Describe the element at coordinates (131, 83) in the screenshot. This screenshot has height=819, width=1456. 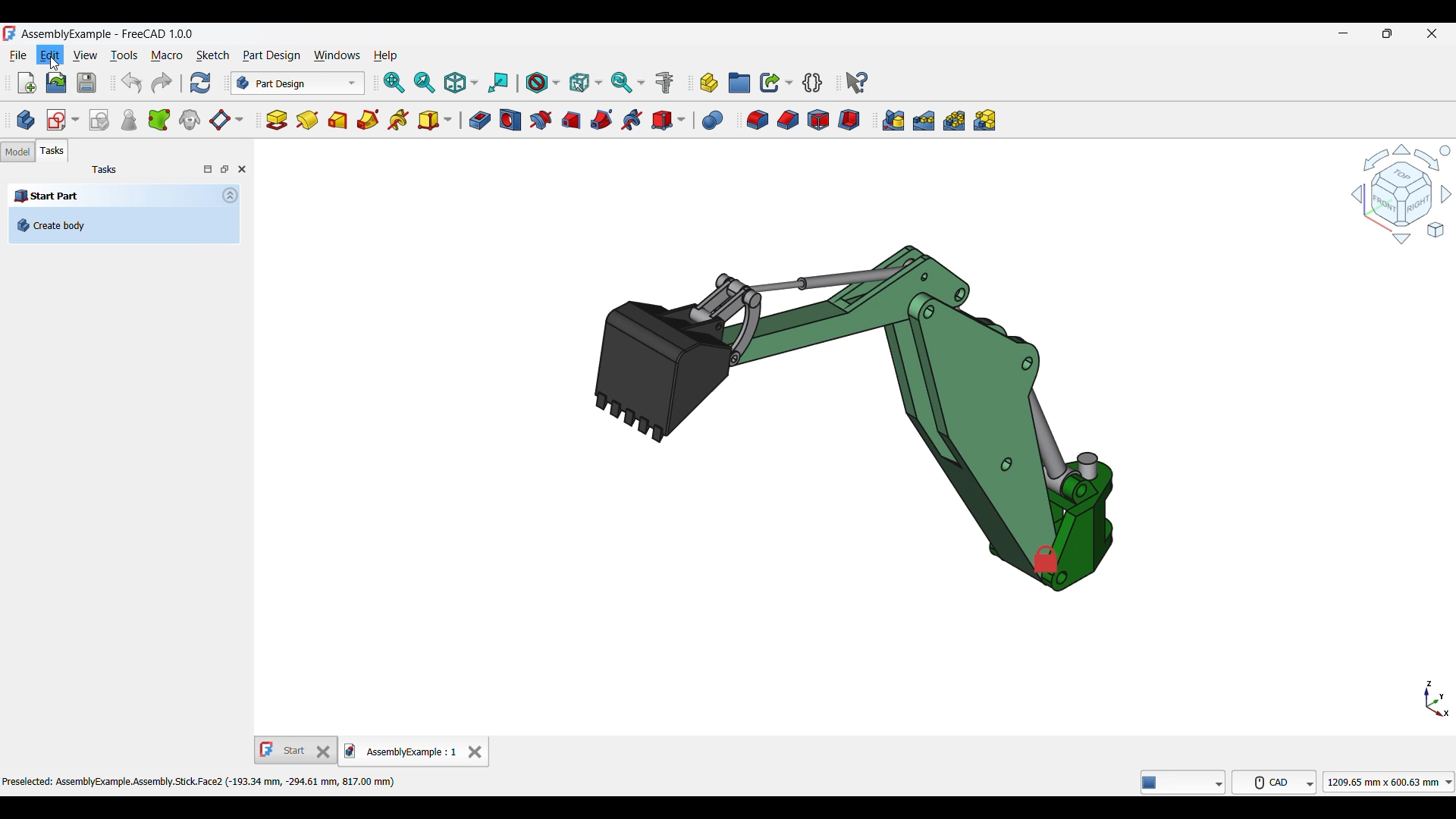
I see `Undo` at that location.